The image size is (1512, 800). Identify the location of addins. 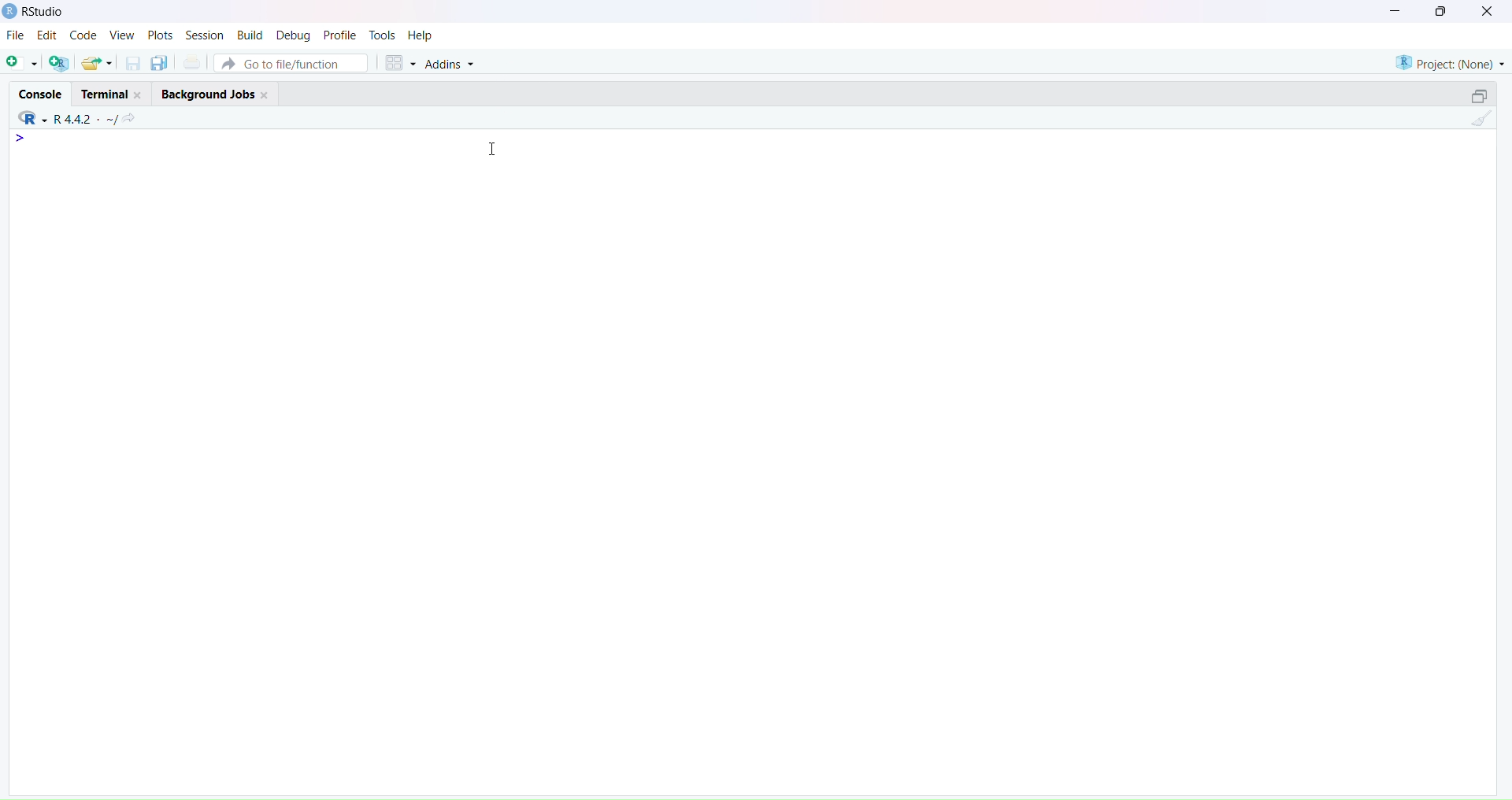
(450, 65).